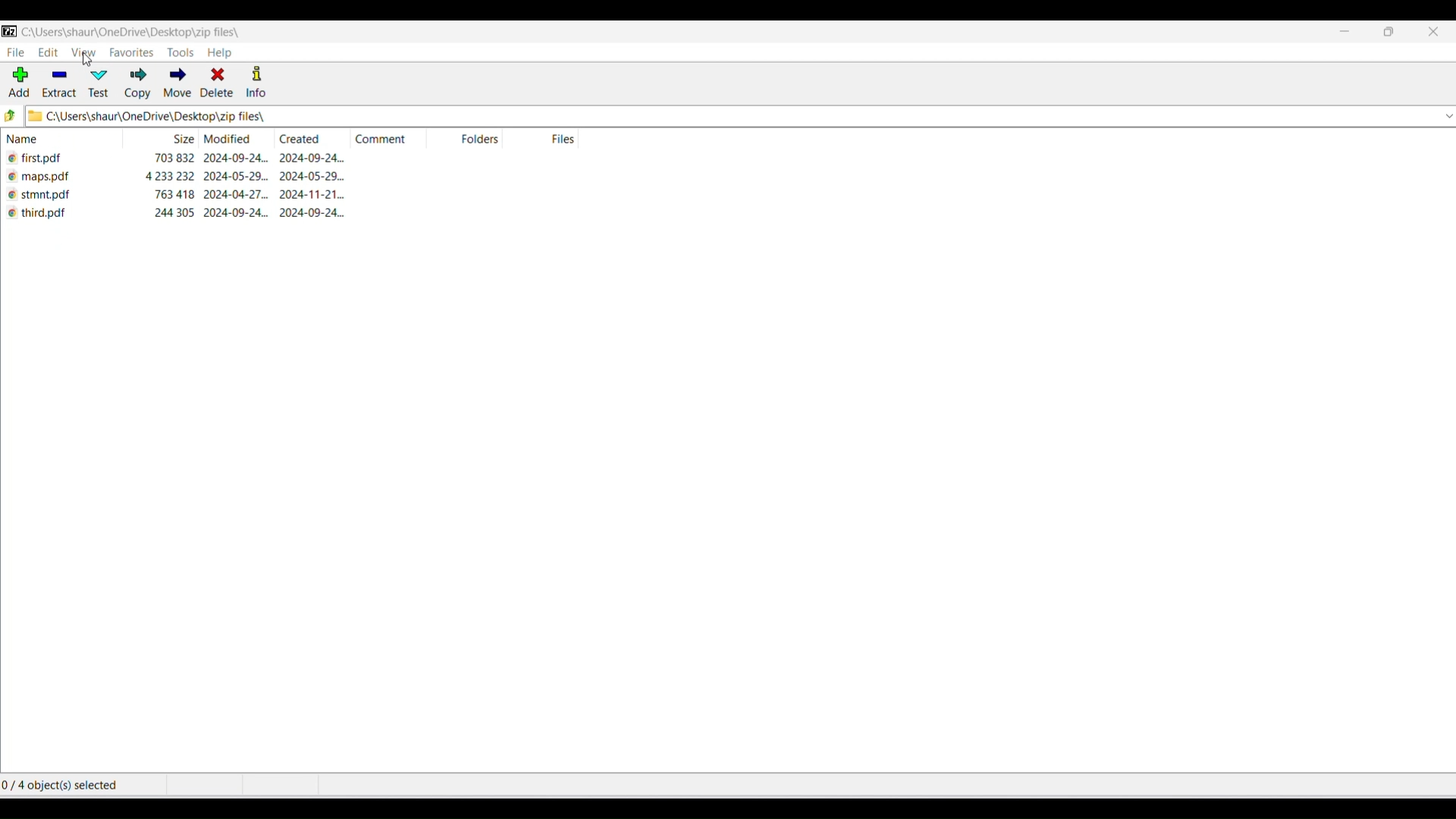 This screenshot has height=819, width=1456. I want to click on modification date, so click(234, 140).